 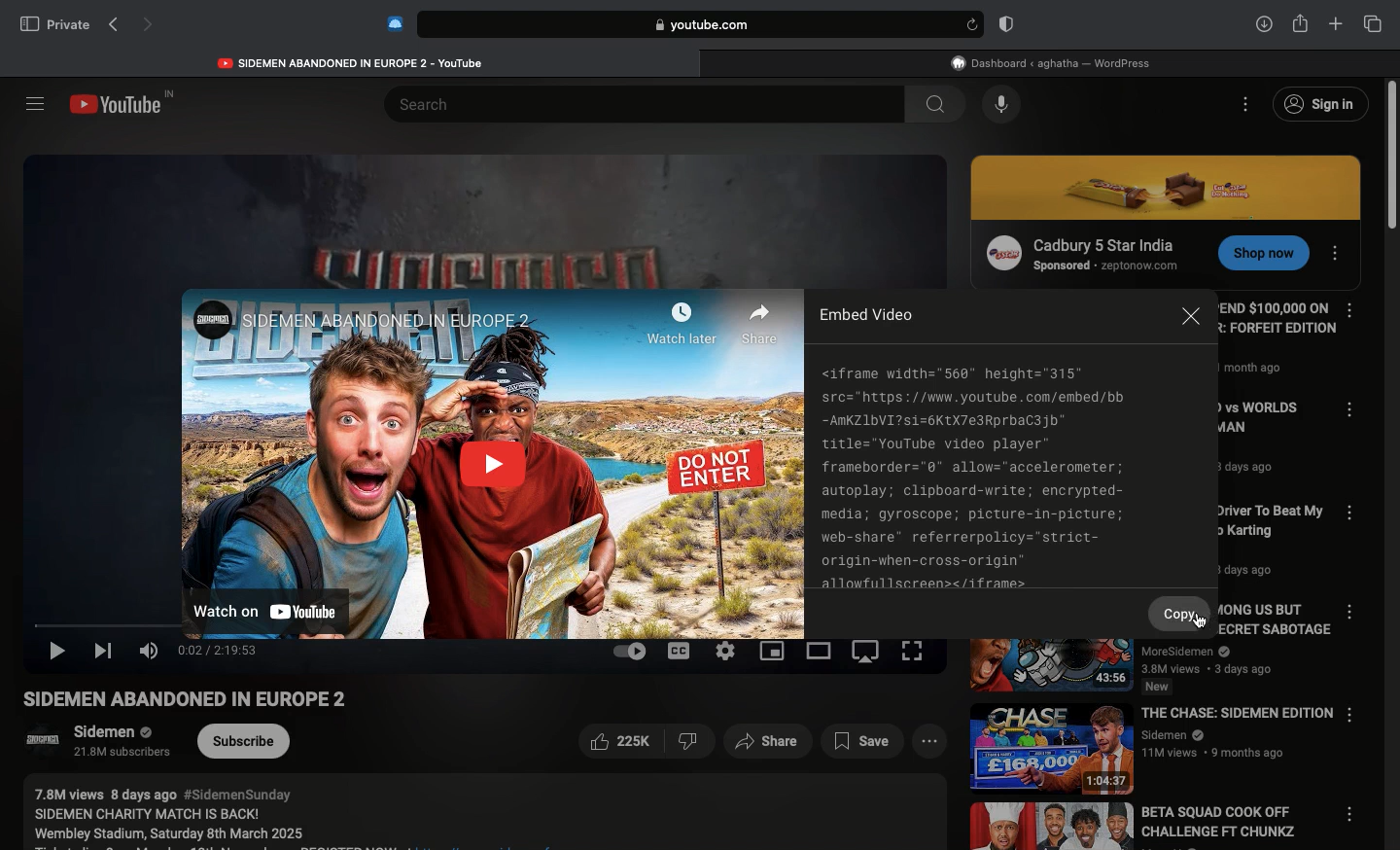 I want to click on New tab, so click(x=1336, y=24).